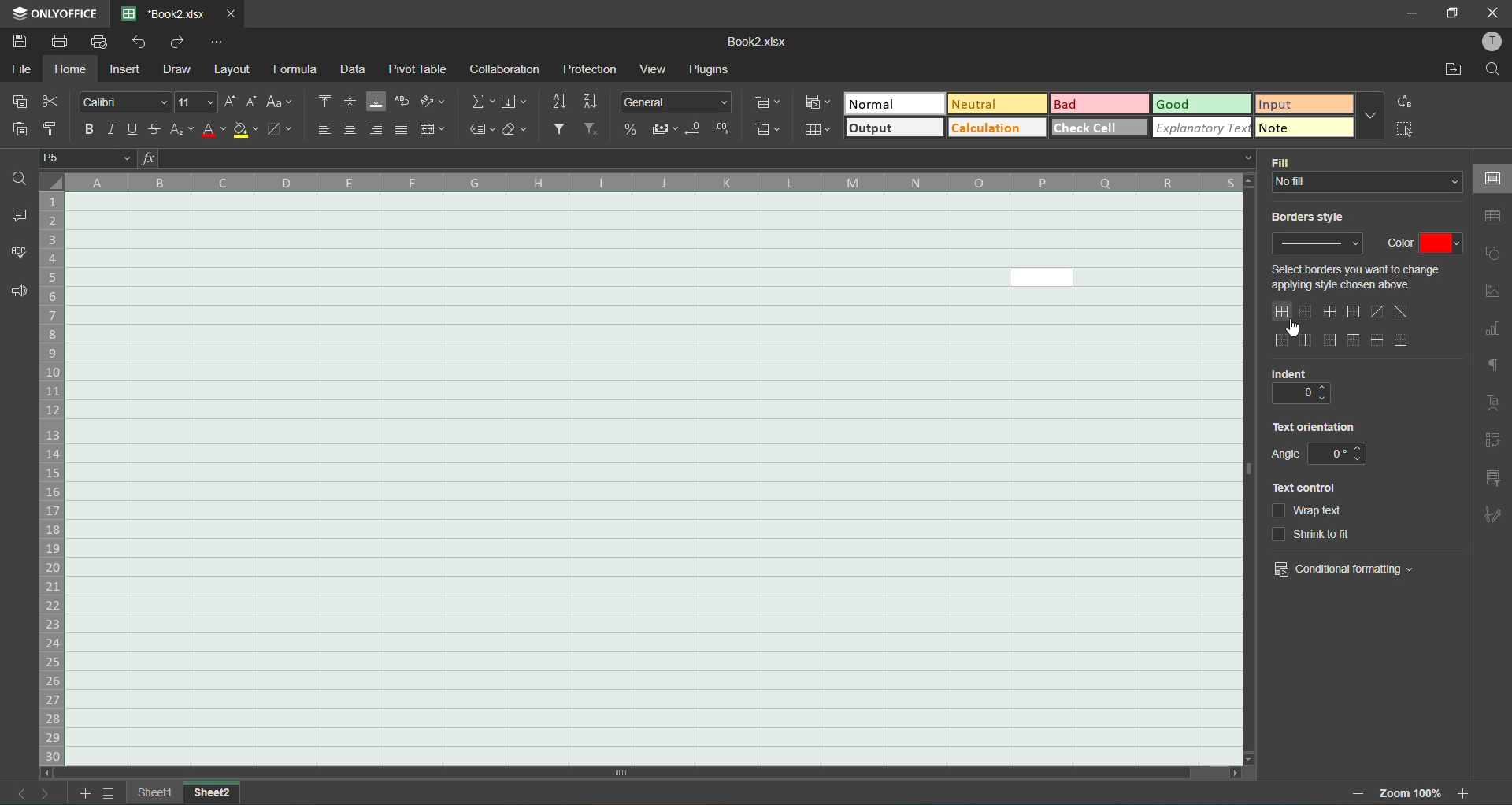 The height and width of the screenshot is (805, 1512). I want to click on sheet1, so click(153, 792).